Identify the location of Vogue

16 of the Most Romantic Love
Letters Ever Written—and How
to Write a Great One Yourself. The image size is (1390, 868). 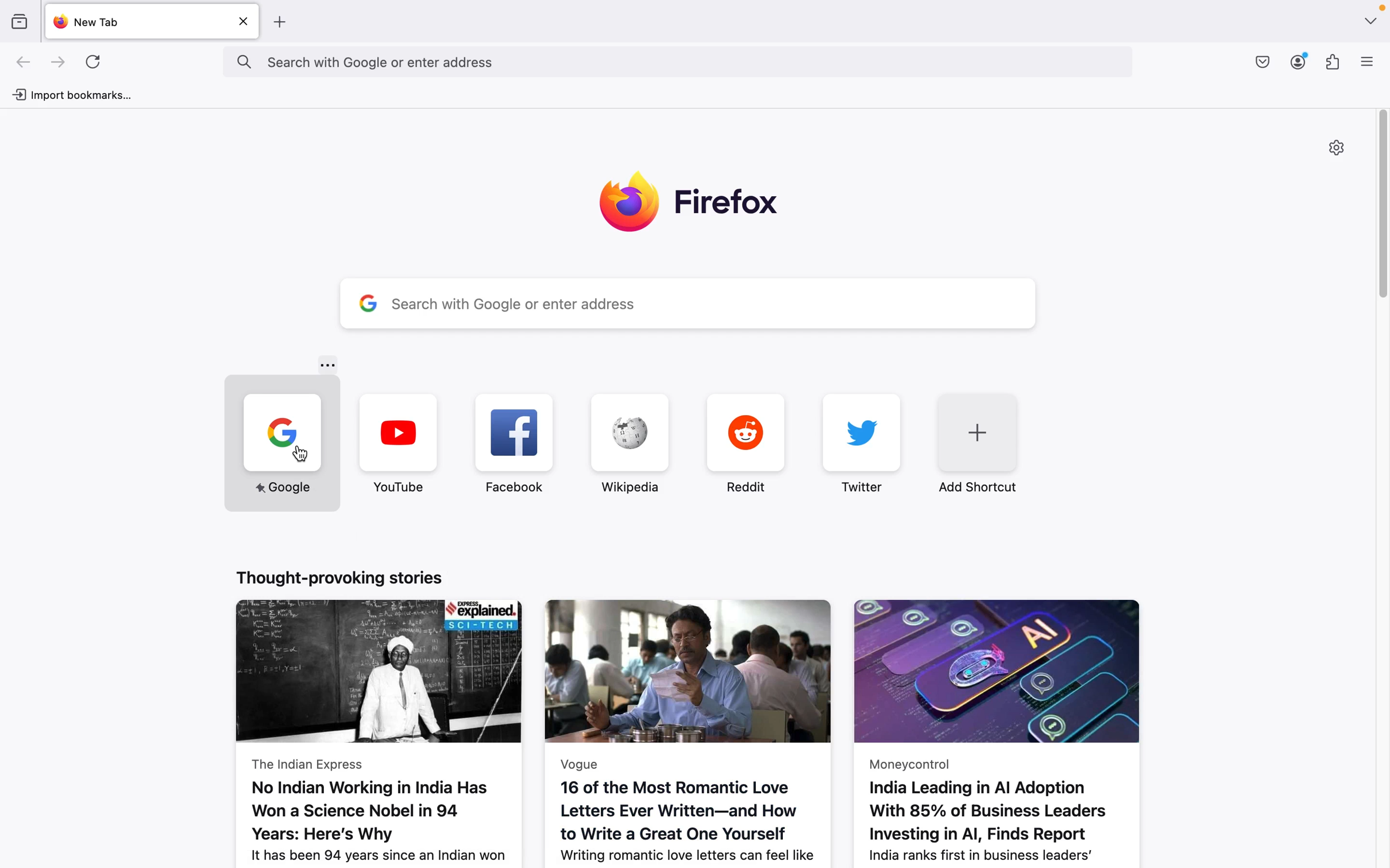
(690, 728).